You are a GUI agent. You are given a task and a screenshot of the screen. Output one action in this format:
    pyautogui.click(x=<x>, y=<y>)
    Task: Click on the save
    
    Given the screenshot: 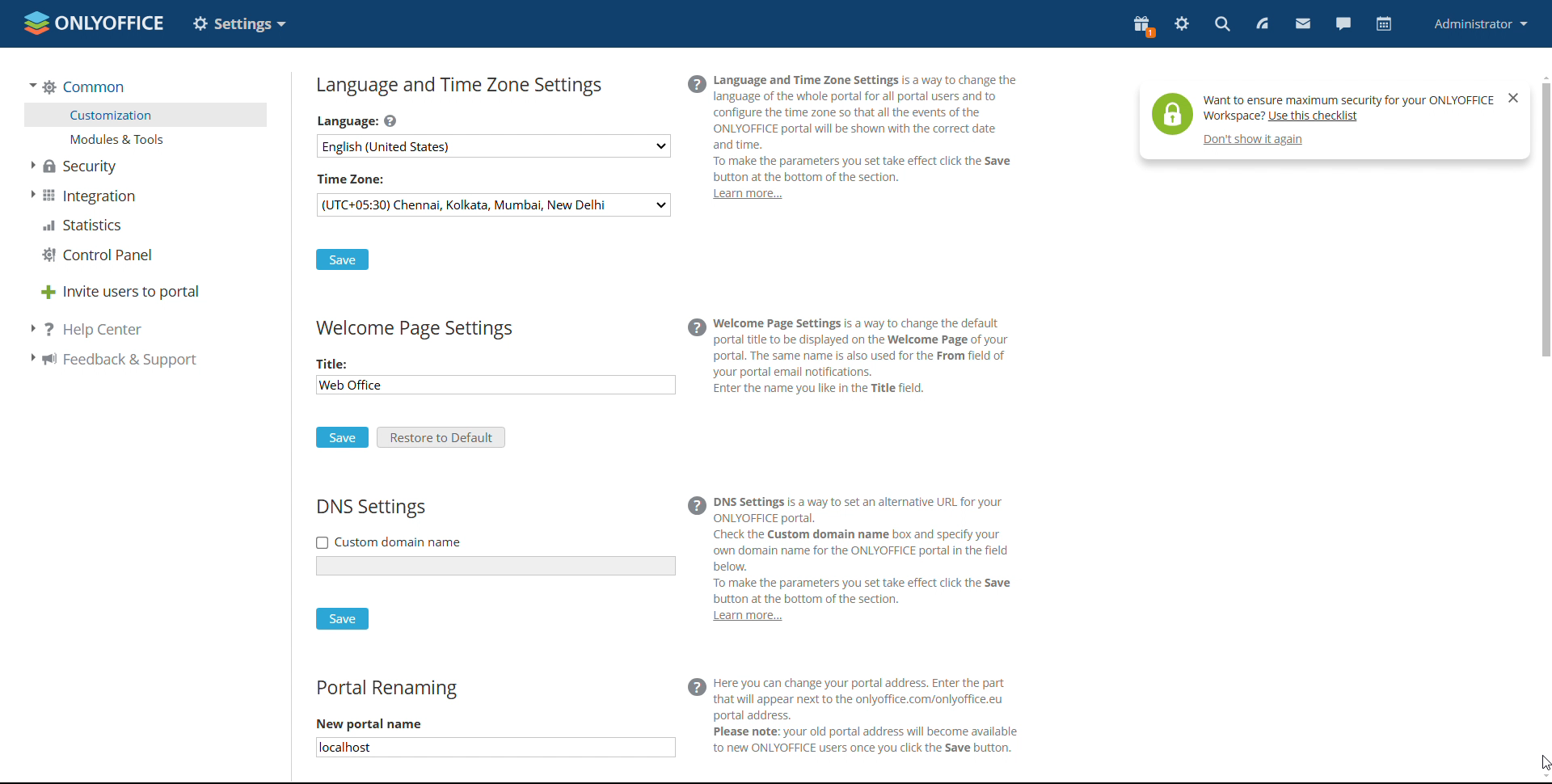 What is the action you would take?
    pyautogui.click(x=342, y=437)
    